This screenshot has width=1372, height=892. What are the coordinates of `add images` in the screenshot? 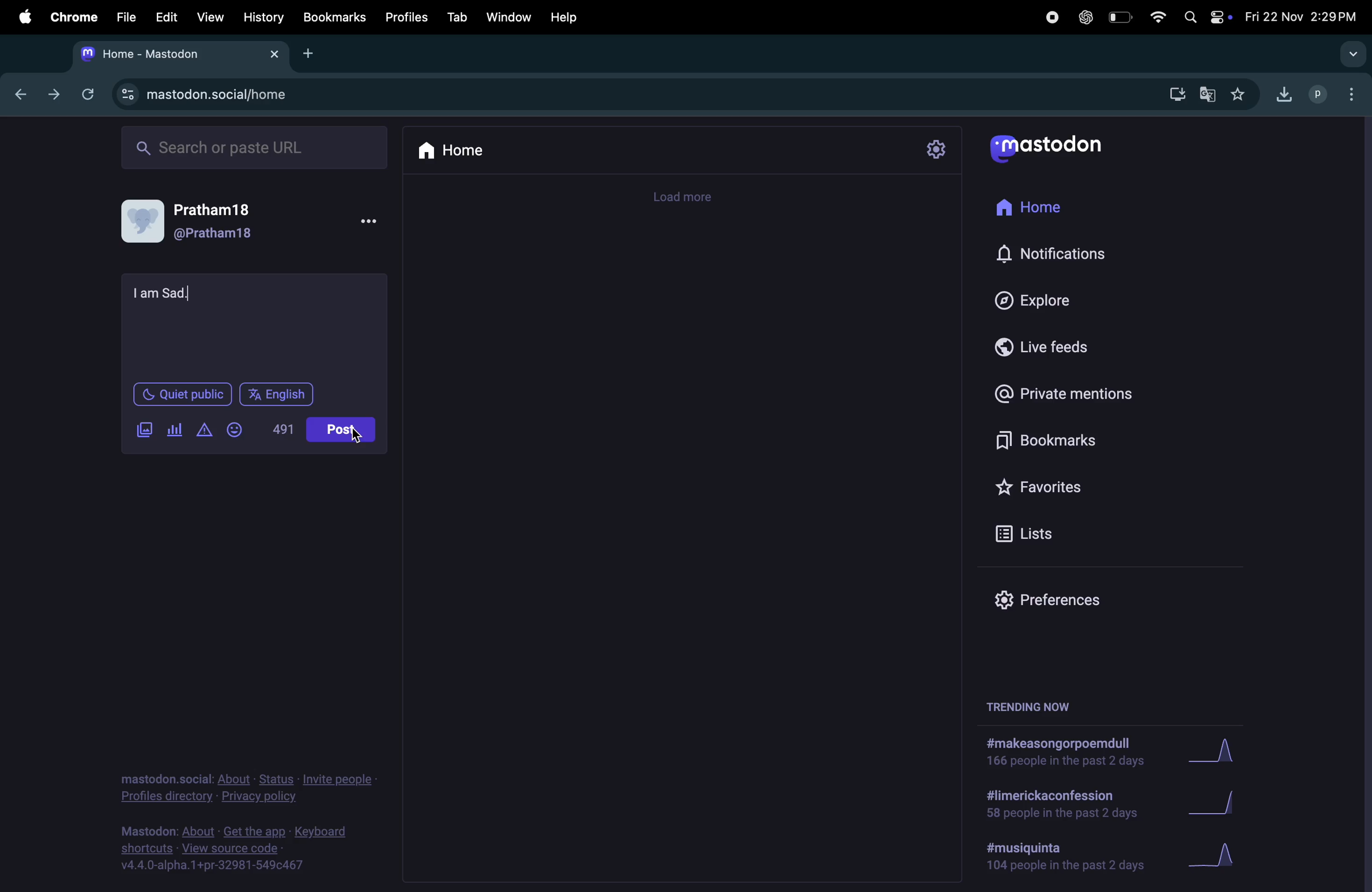 It's located at (142, 429).